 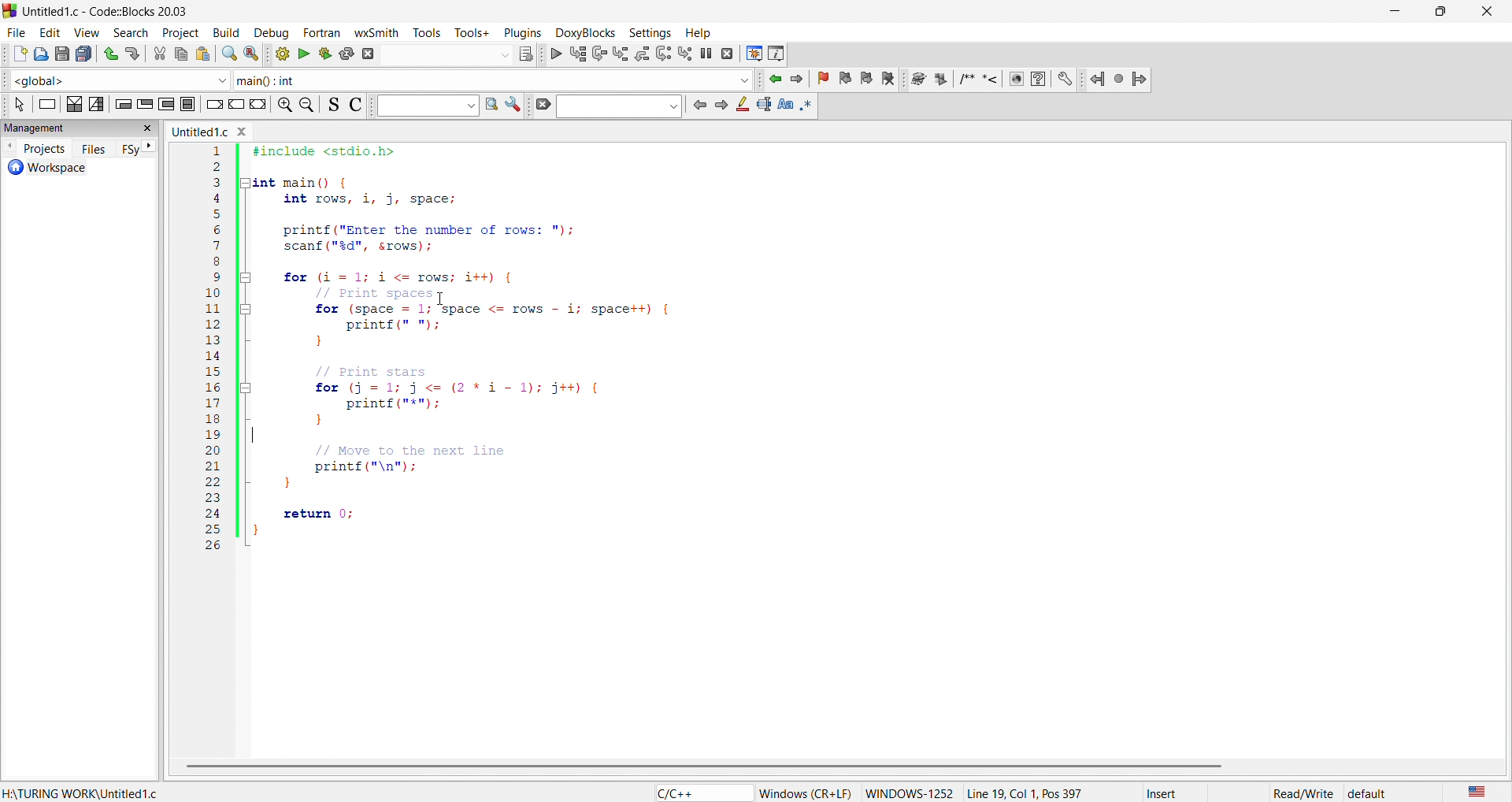 What do you see at coordinates (69, 169) in the screenshot?
I see `workspace` at bounding box center [69, 169].